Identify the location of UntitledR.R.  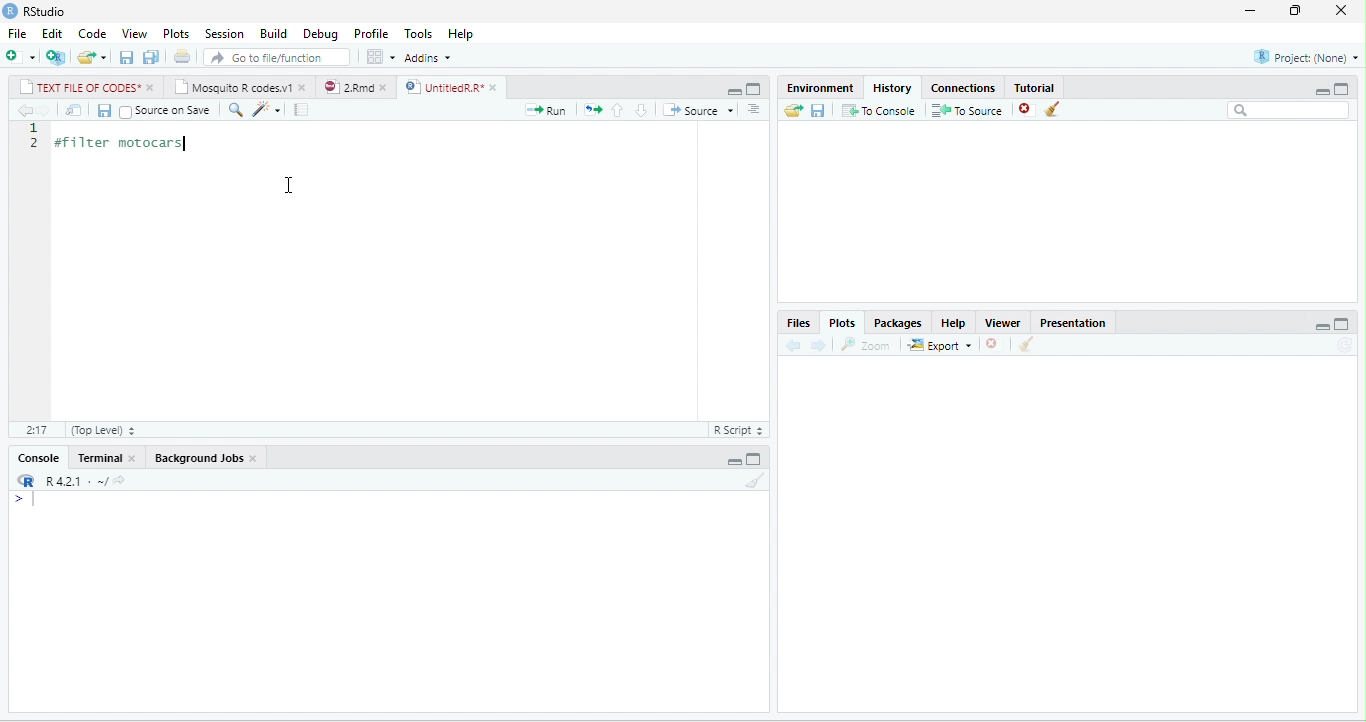
(441, 87).